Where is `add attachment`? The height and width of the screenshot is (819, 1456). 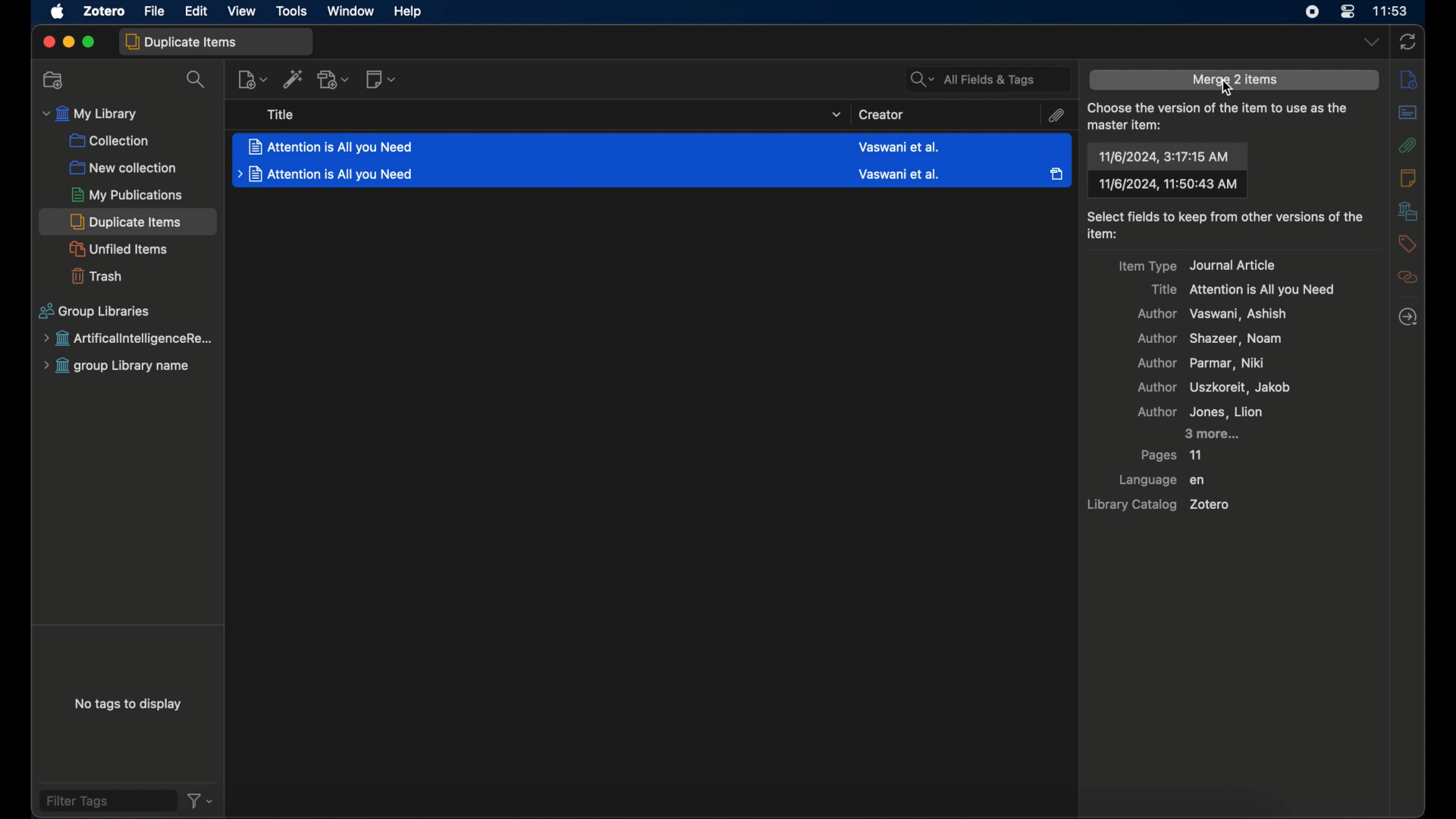 add attachment is located at coordinates (334, 79).